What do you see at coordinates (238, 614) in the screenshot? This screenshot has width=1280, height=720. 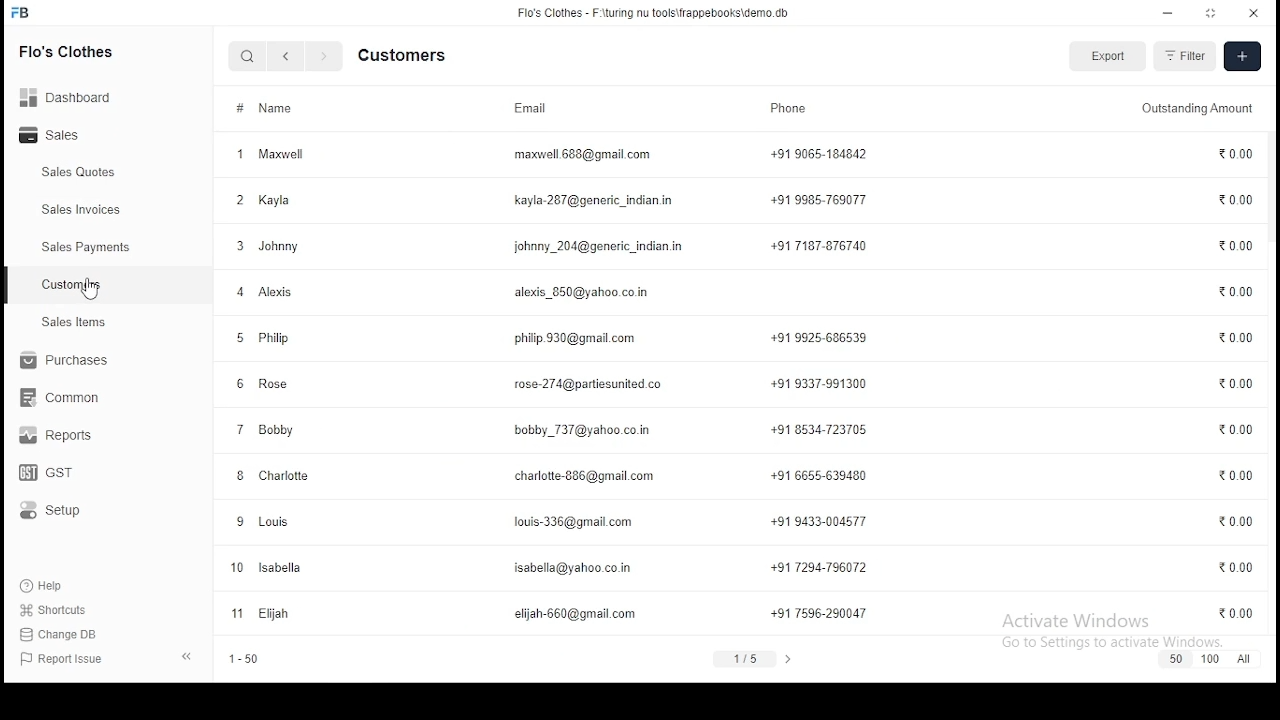 I see `11` at bounding box center [238, 614].